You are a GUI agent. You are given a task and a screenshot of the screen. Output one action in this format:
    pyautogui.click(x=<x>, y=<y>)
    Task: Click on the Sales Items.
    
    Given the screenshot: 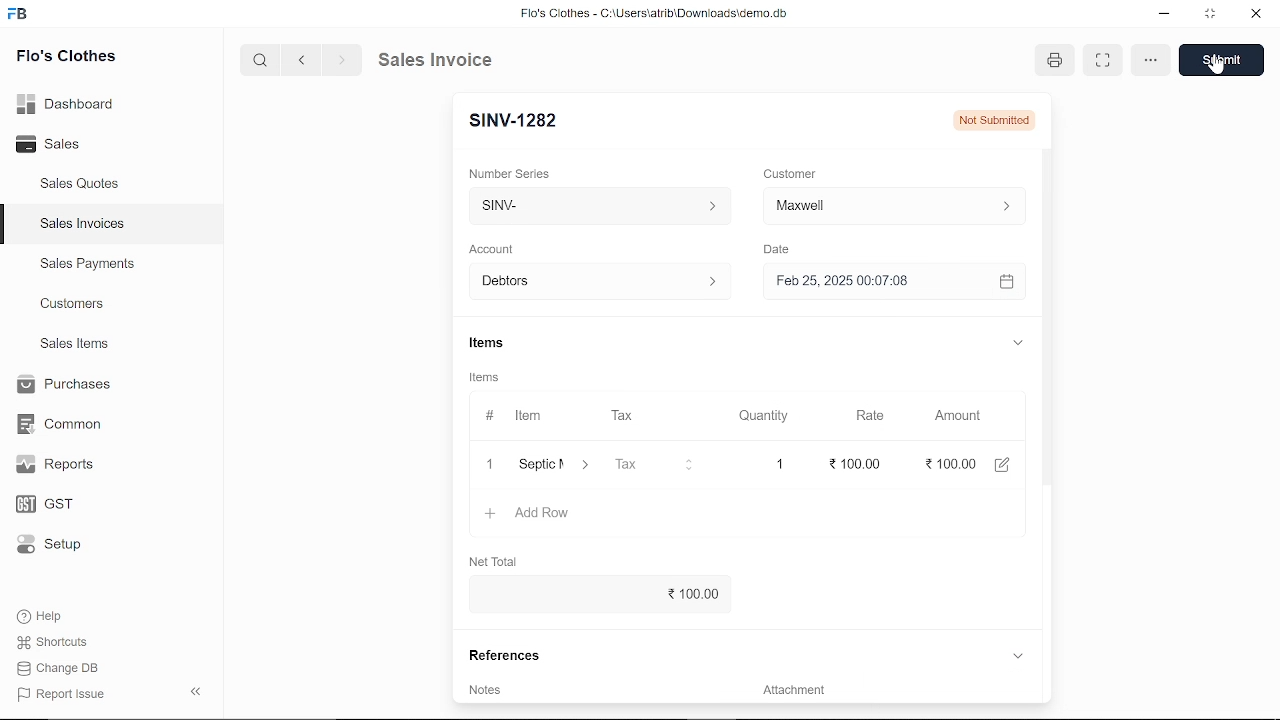 What is the action you would take?
    pyautogui.click(x=76, y=345)
    